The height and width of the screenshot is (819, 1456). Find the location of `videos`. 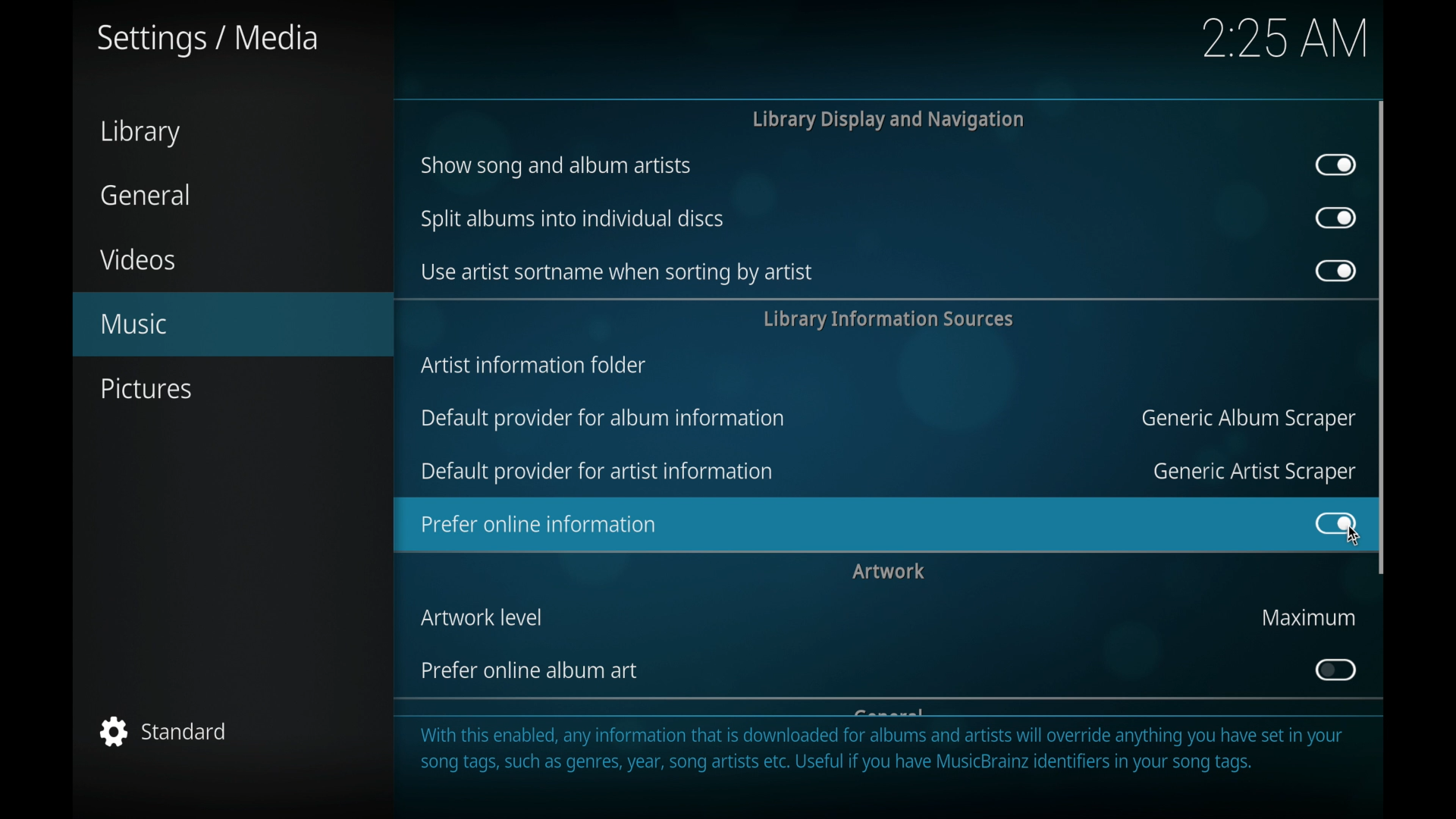

videos is located at coordinates (140, 259).